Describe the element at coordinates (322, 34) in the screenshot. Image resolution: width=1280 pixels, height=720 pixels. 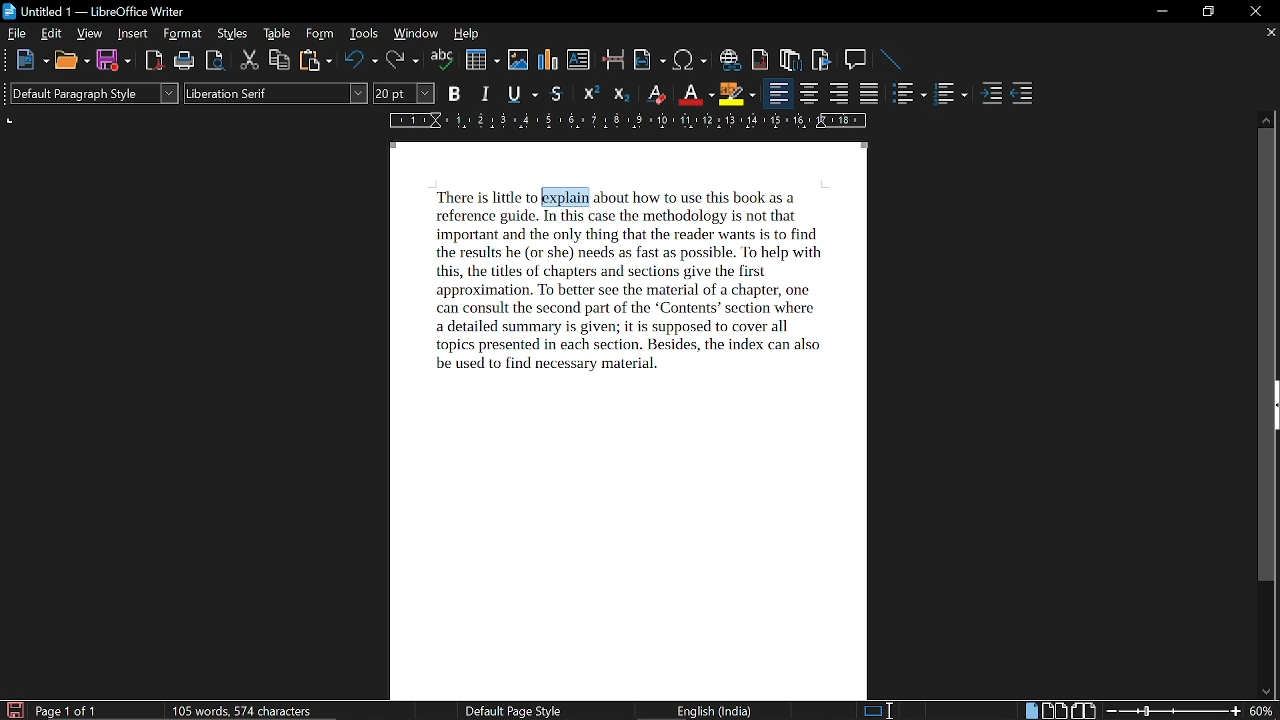
I see `form` at that location.